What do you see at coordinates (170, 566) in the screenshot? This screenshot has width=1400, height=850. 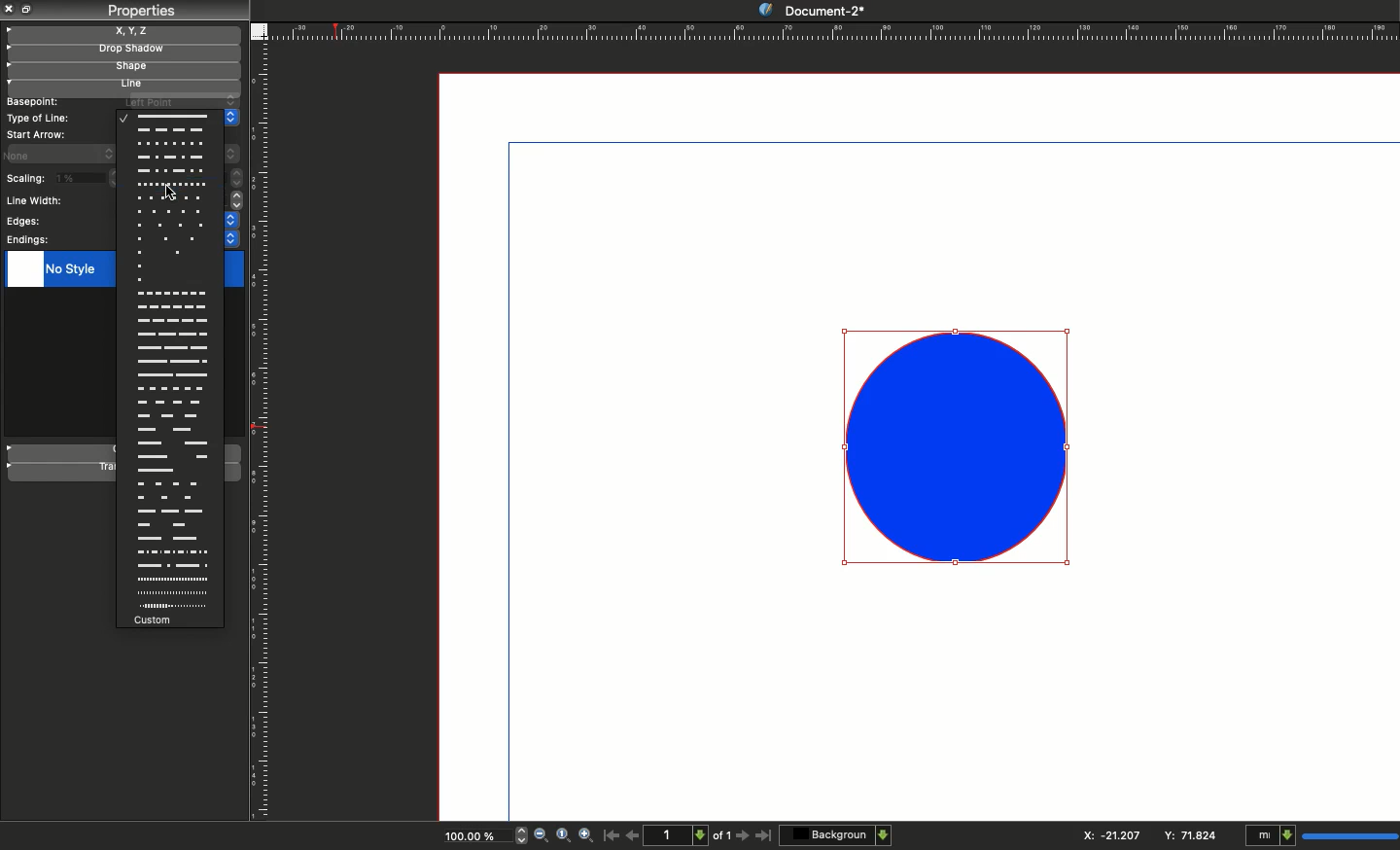 I see `line option` at bounding box center [170, 566].